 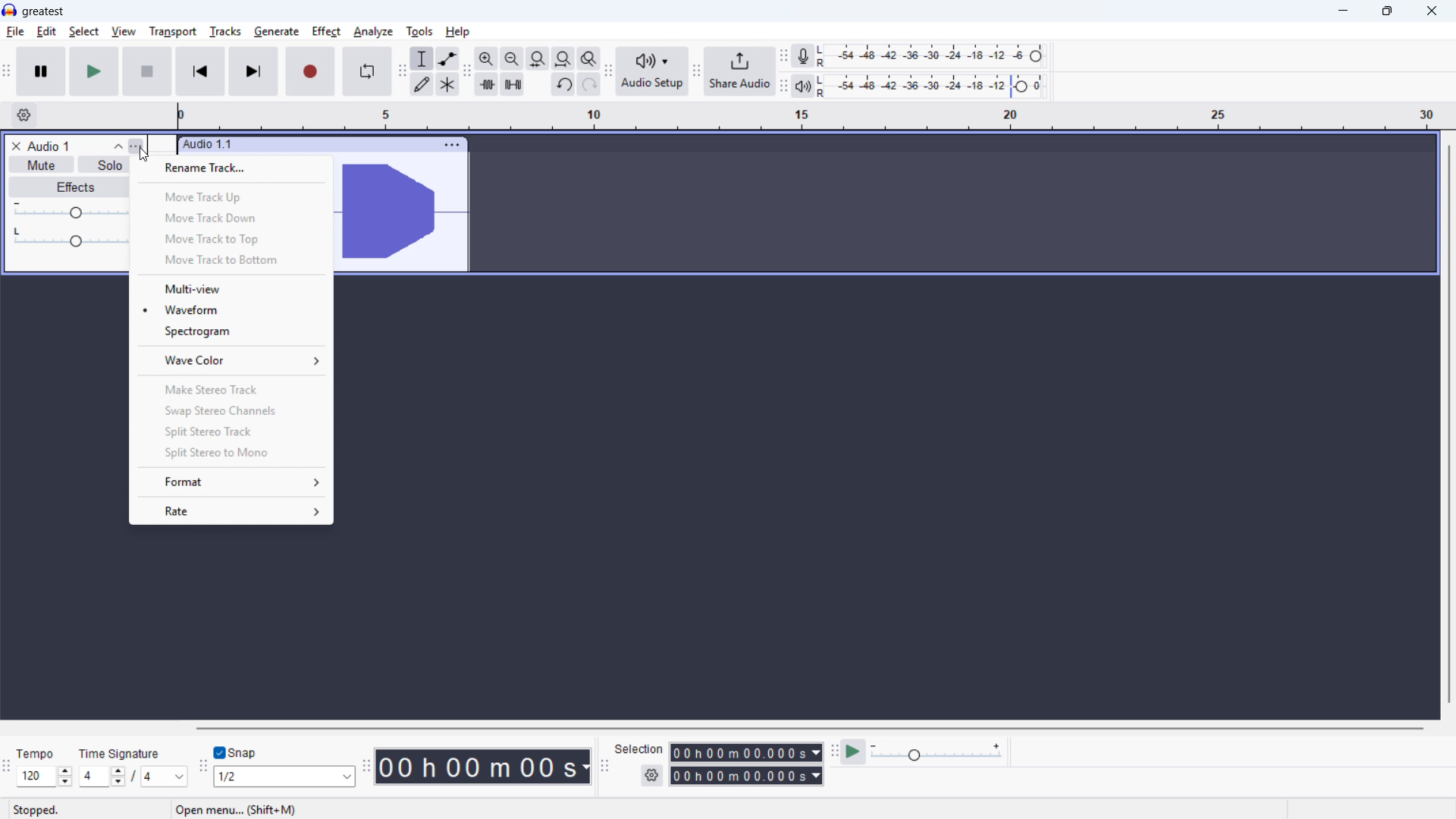 I want to click on tempo, so click(x=38, y=754).